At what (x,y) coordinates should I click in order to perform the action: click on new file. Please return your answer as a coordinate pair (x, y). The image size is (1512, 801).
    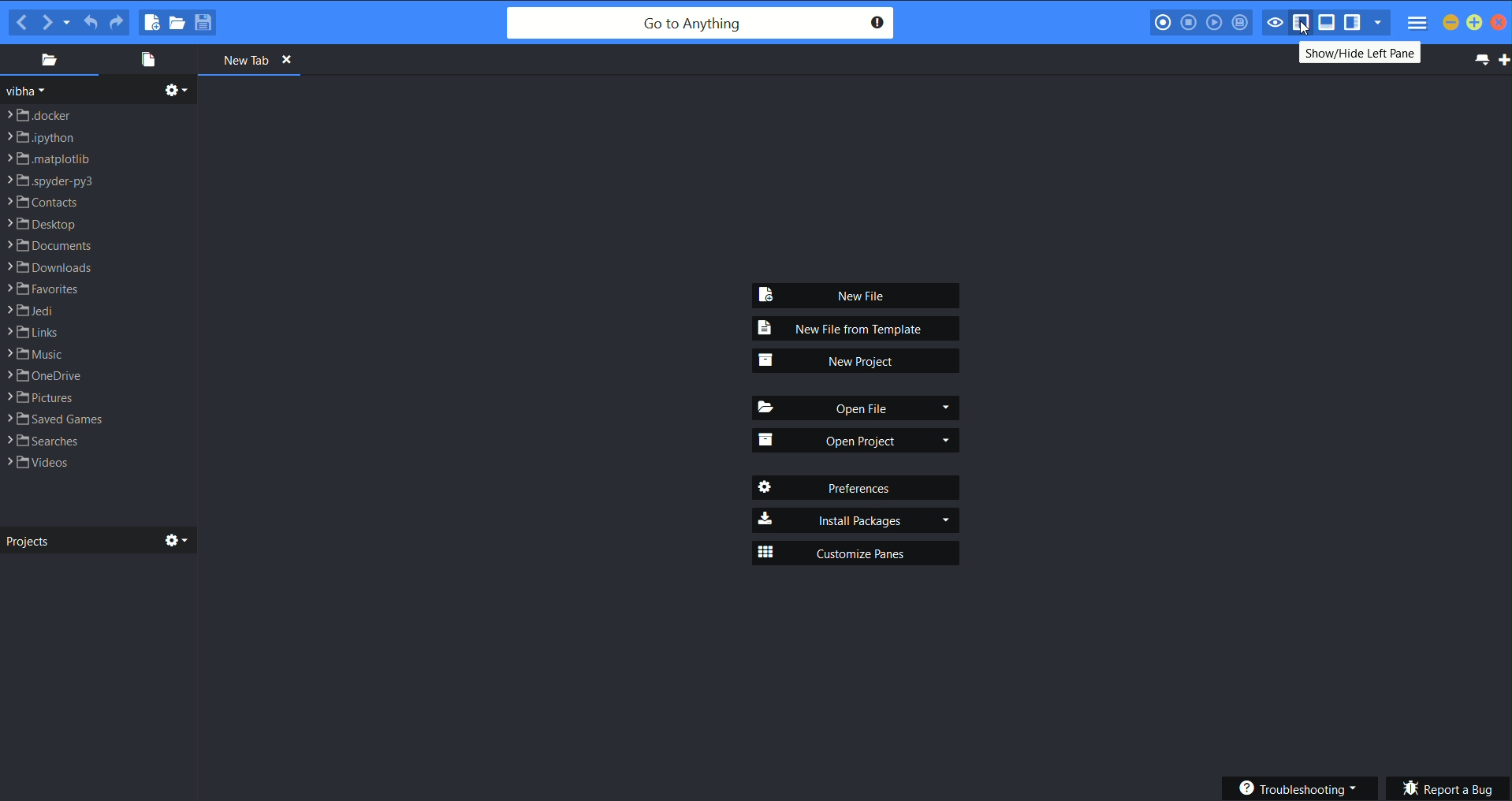
    Looking at the image, I should click on (859, 294).